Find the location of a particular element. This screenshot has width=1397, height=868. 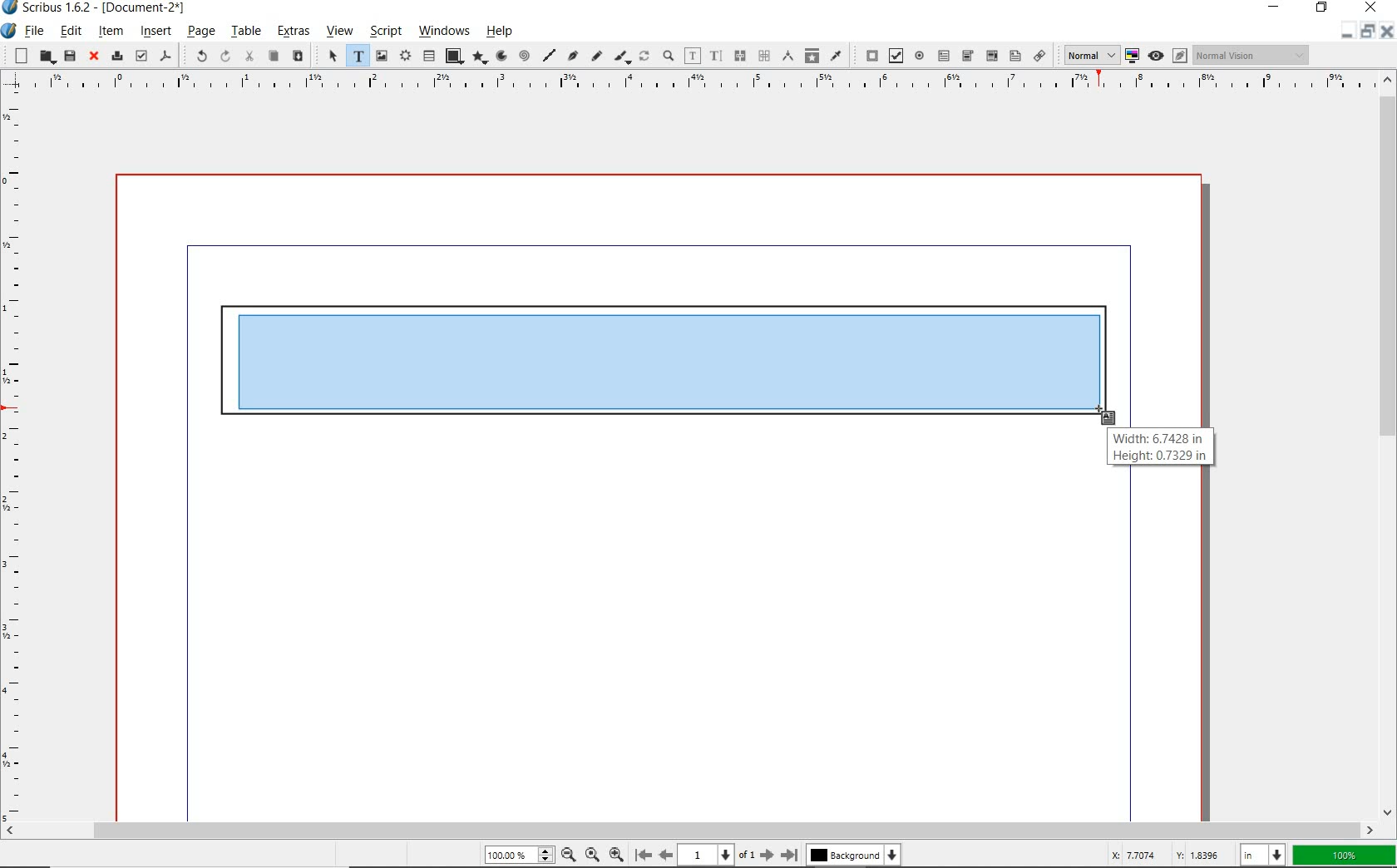

undo is located at coordinates (196, 57).